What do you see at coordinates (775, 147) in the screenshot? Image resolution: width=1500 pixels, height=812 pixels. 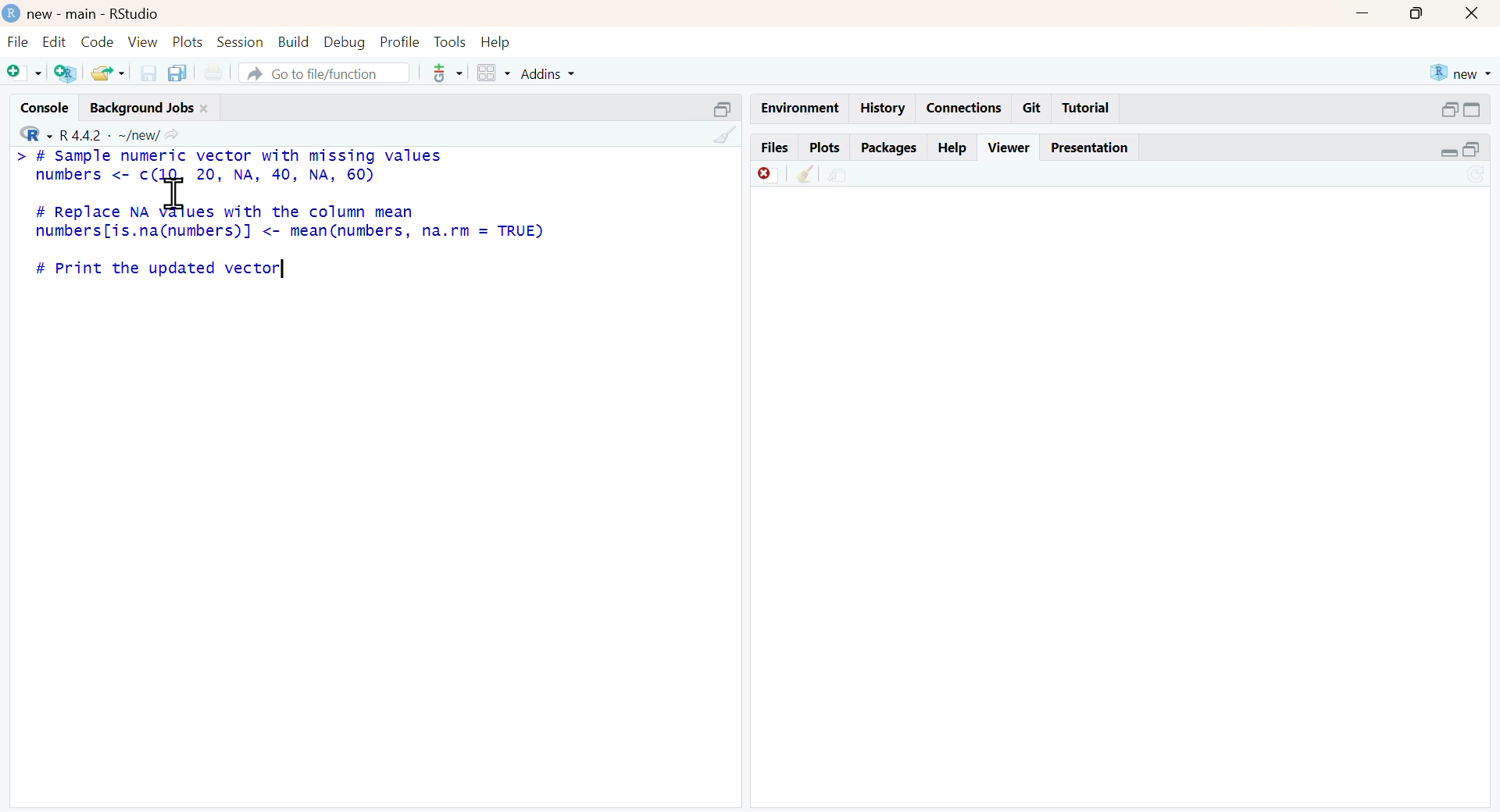 I see `files` at bounding box center [775, 147].